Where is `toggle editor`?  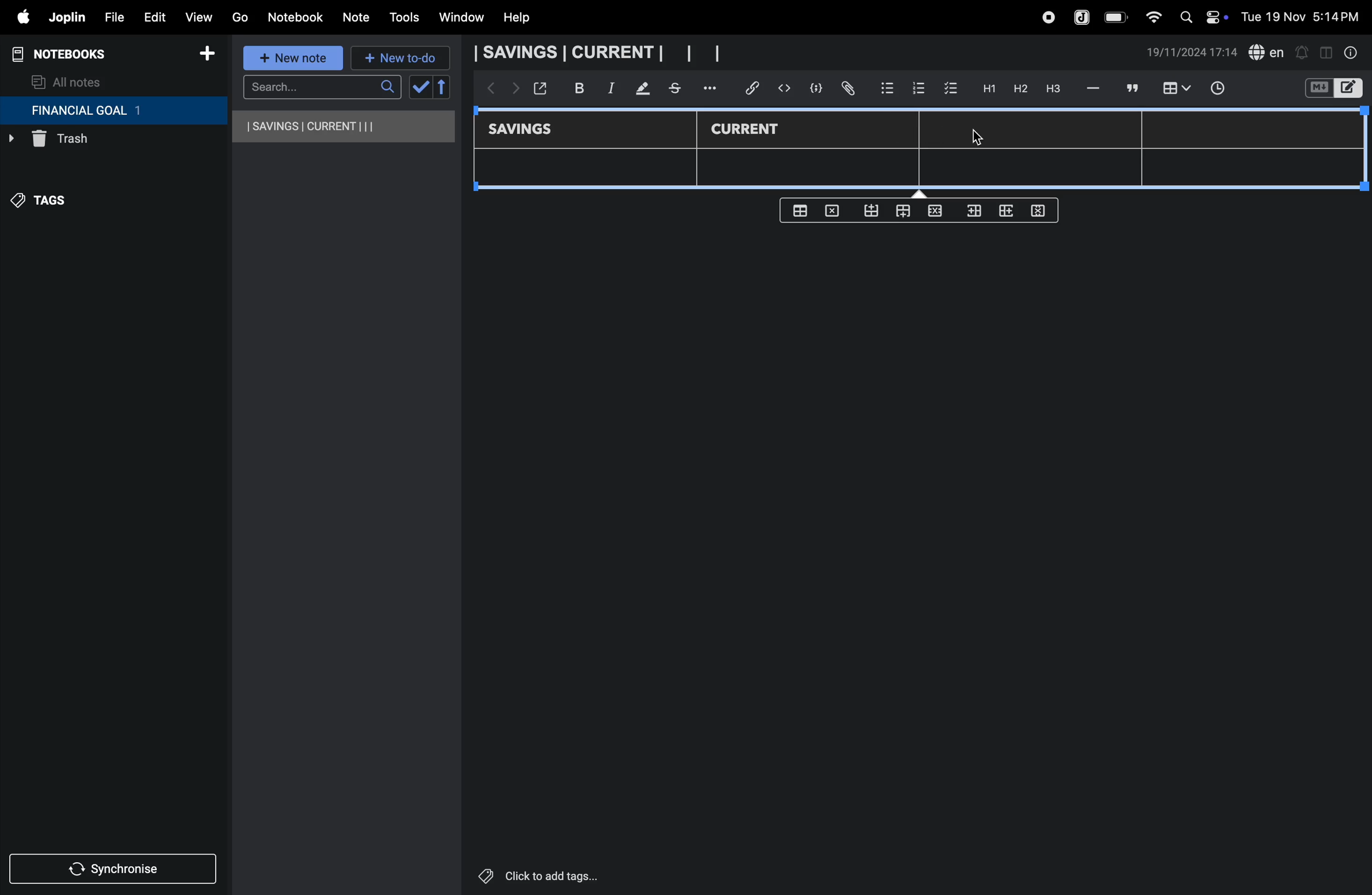 toggle editor is located at coordinates (1326, 51).